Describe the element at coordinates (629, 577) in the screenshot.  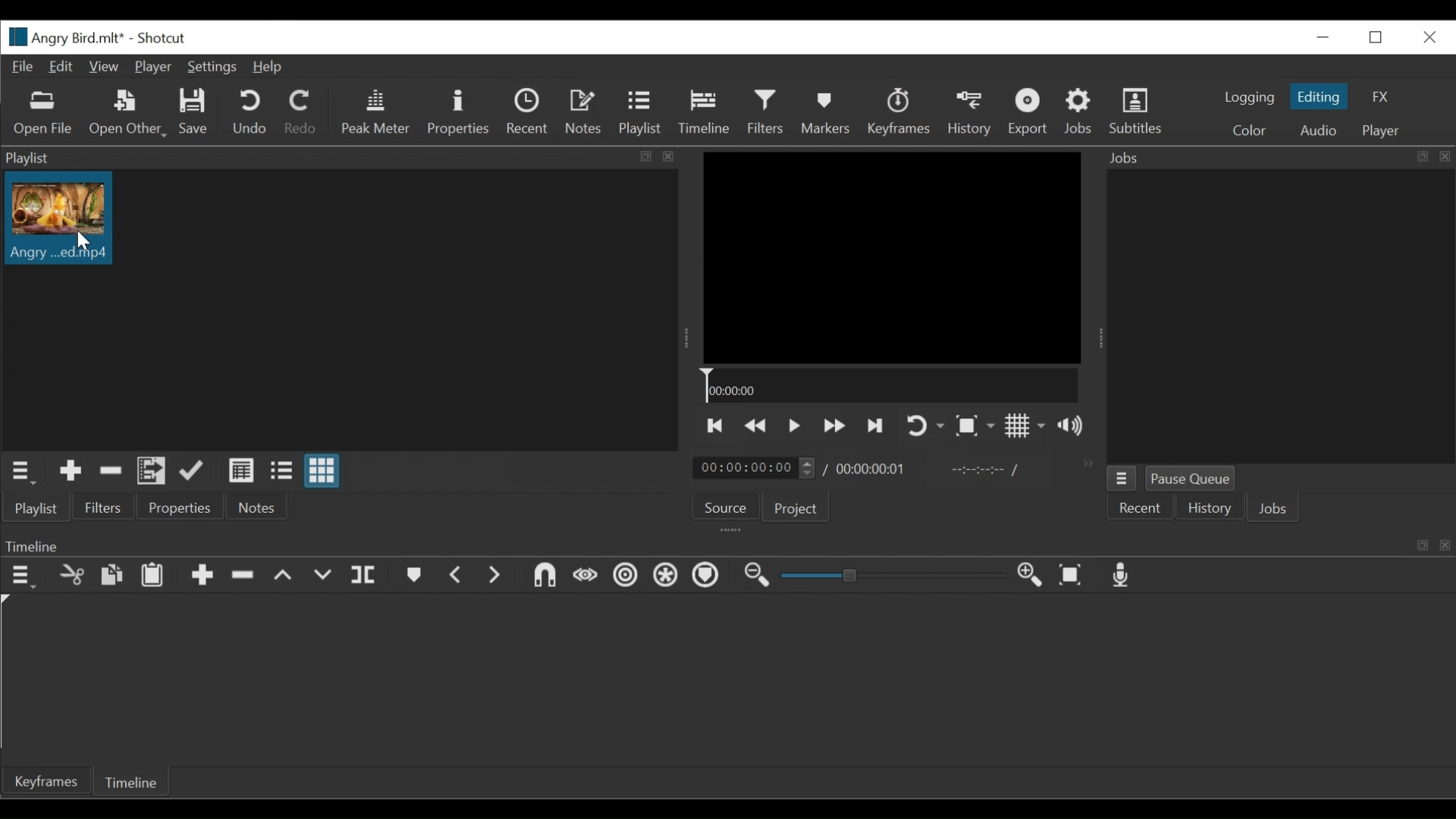
I see `Rippl` at that location.